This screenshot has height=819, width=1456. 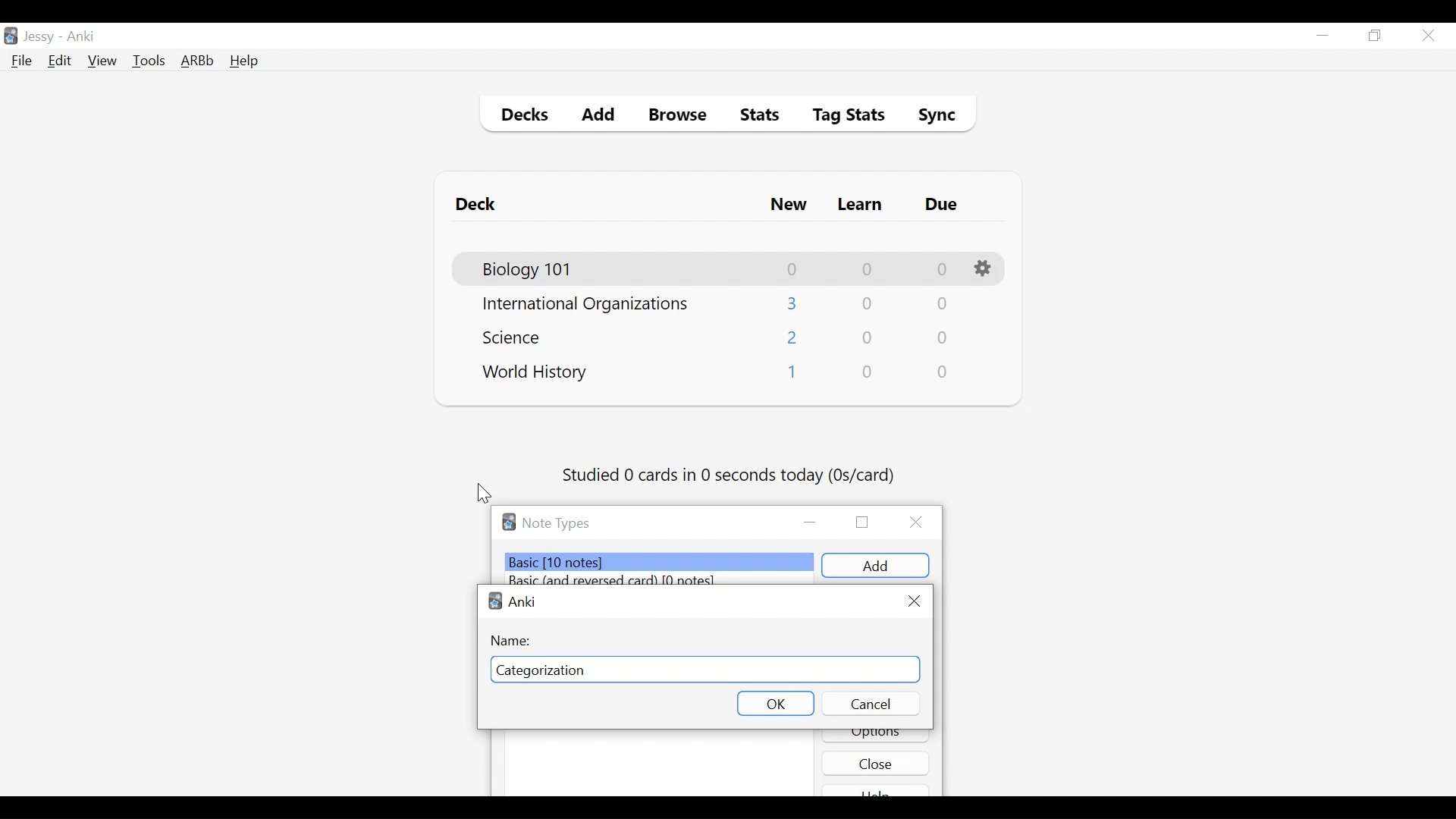 What do you see at coordinates (943, 270) in the screenshot?
I see `Due Card Count` at bounding box center [943, 270].